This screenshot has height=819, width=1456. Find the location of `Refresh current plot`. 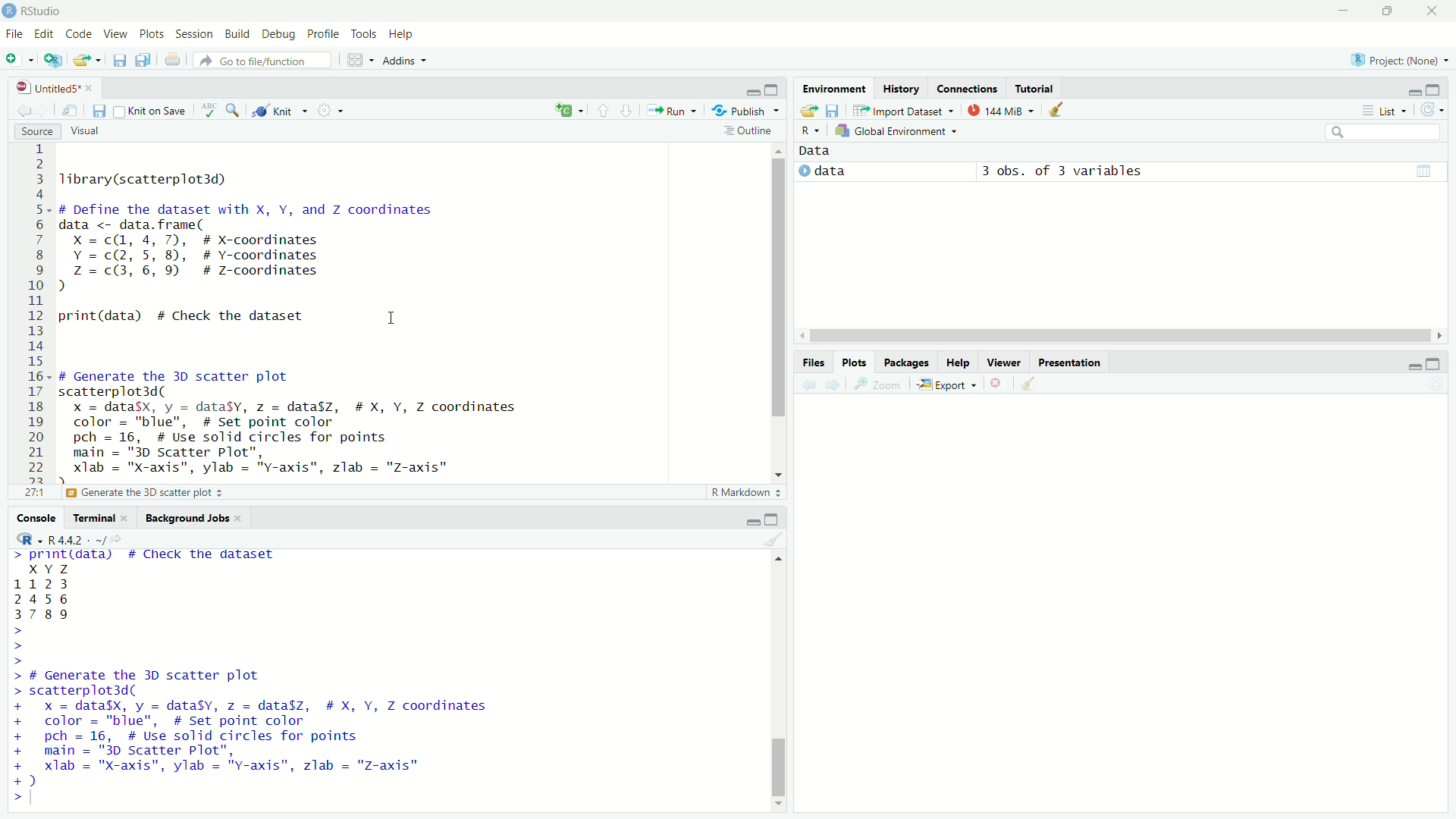

Refresh current plot is located at coordinates (1433, 386).